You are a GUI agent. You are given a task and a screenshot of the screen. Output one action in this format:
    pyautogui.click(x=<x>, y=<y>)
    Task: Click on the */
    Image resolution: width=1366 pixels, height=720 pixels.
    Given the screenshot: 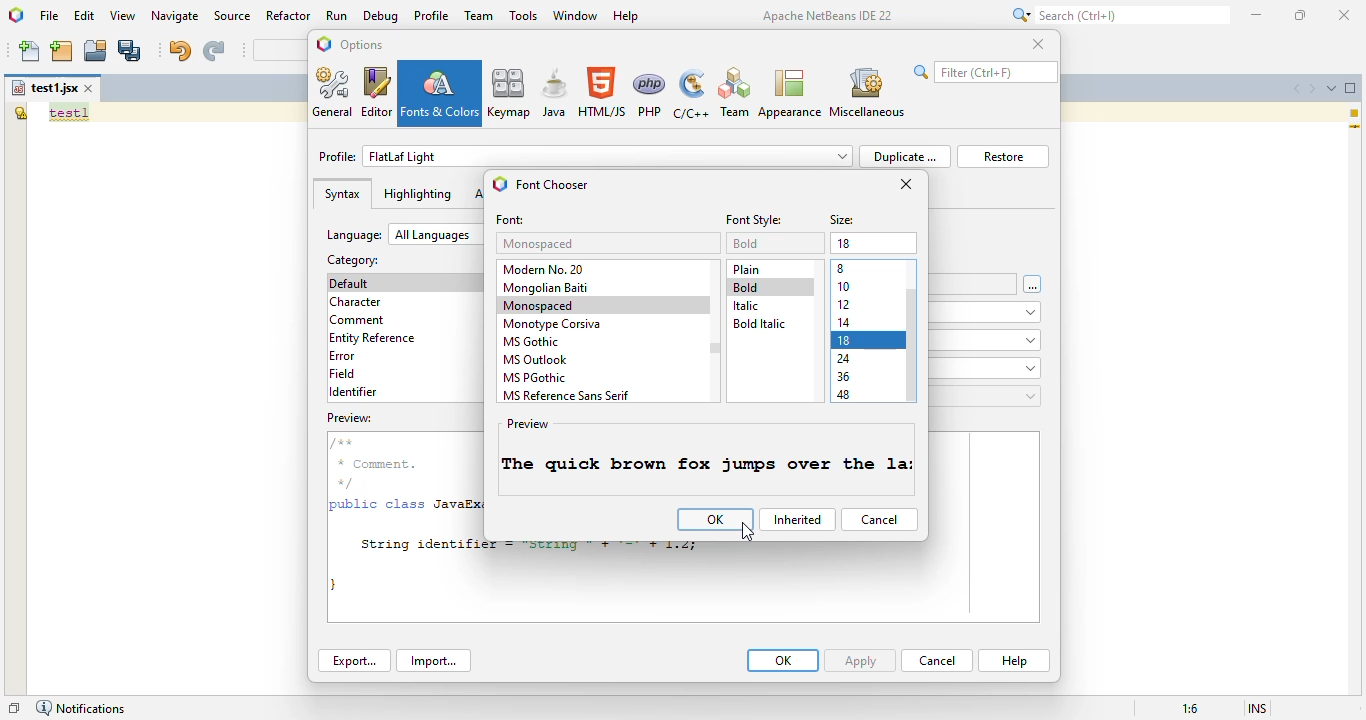 What is the action you would take?
    pyautogui.click(x=351, y=482)
    